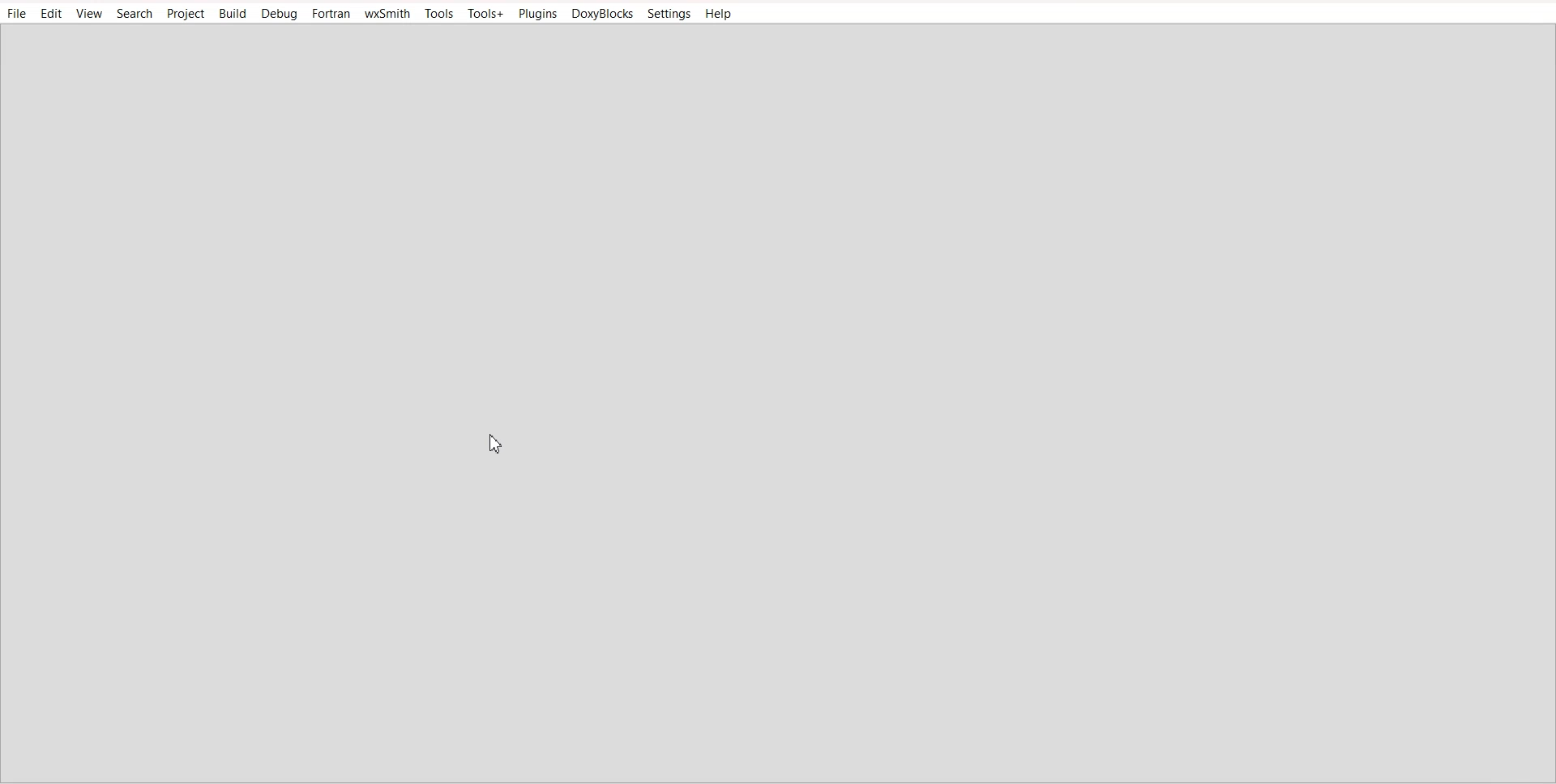 The image size is (1556, 784). Describe the element at coordinates (601, 13) in the screenshot. I see `DoxyBlocks` at that location.